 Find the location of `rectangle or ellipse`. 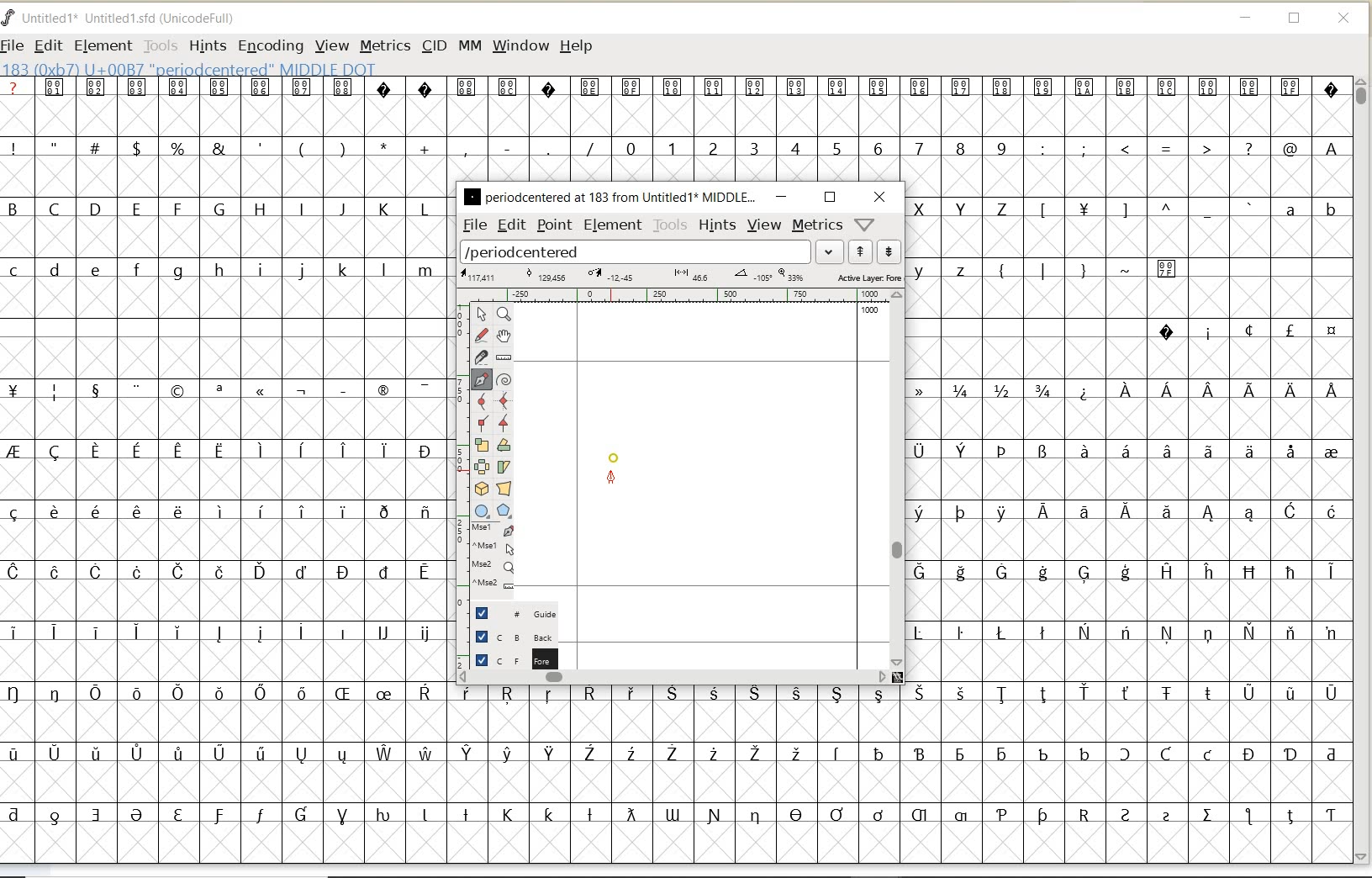

rectangle or ellipse is located at coordinates (482, 510).